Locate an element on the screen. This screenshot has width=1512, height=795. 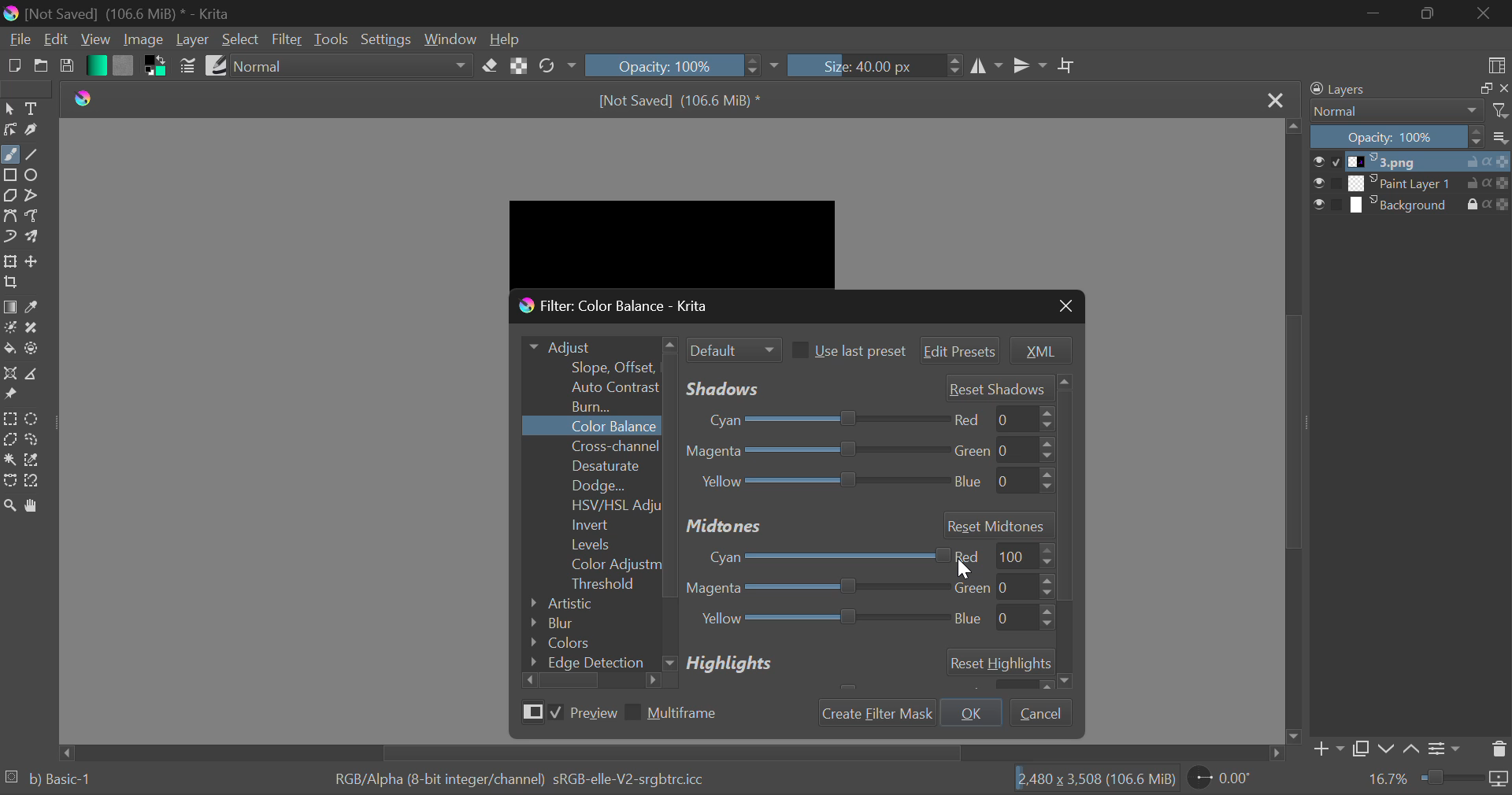
Colors is located at coordinates (586, 642).